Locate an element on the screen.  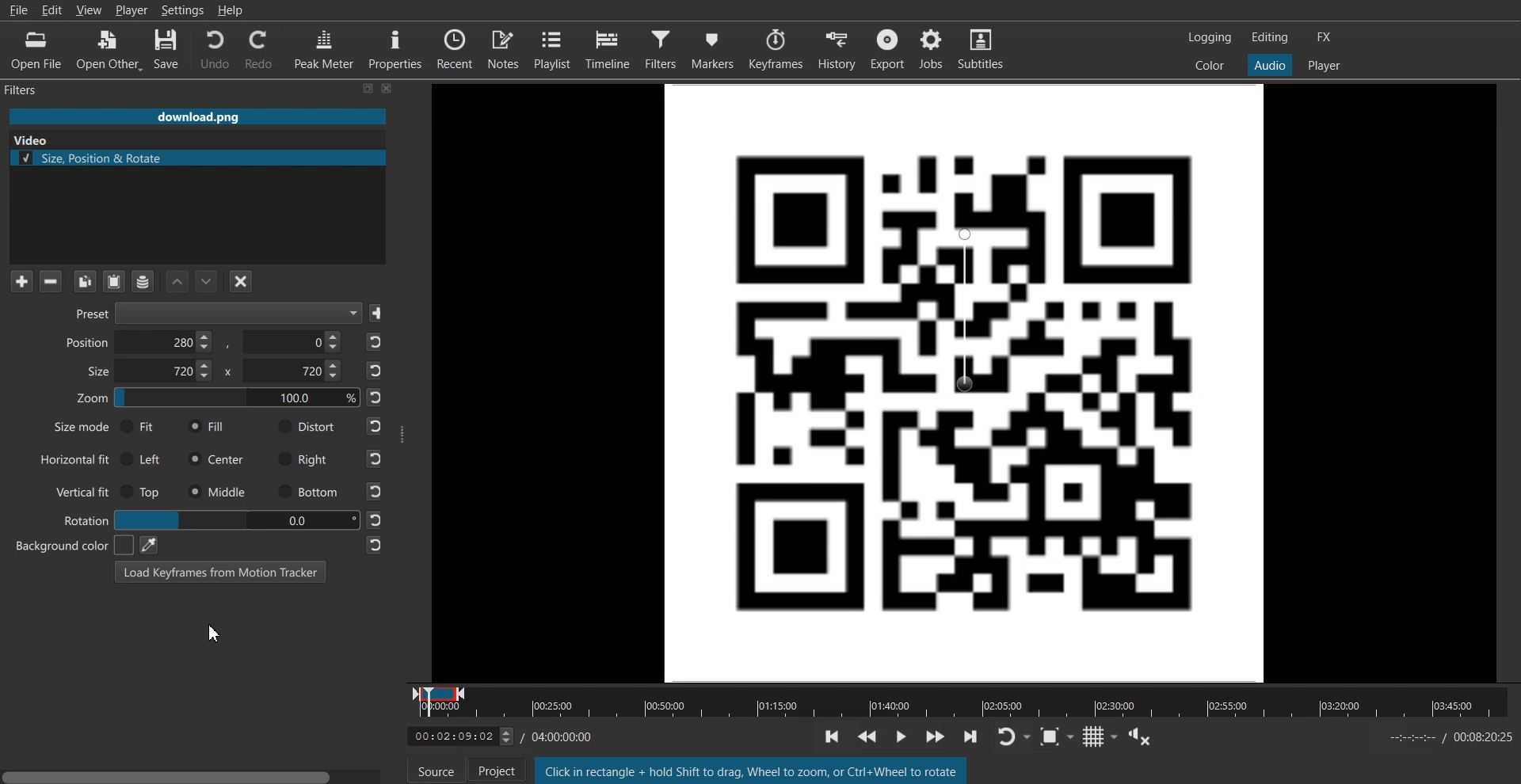
Position X and Y Co-ordinate is located at coordinates (203, 342).